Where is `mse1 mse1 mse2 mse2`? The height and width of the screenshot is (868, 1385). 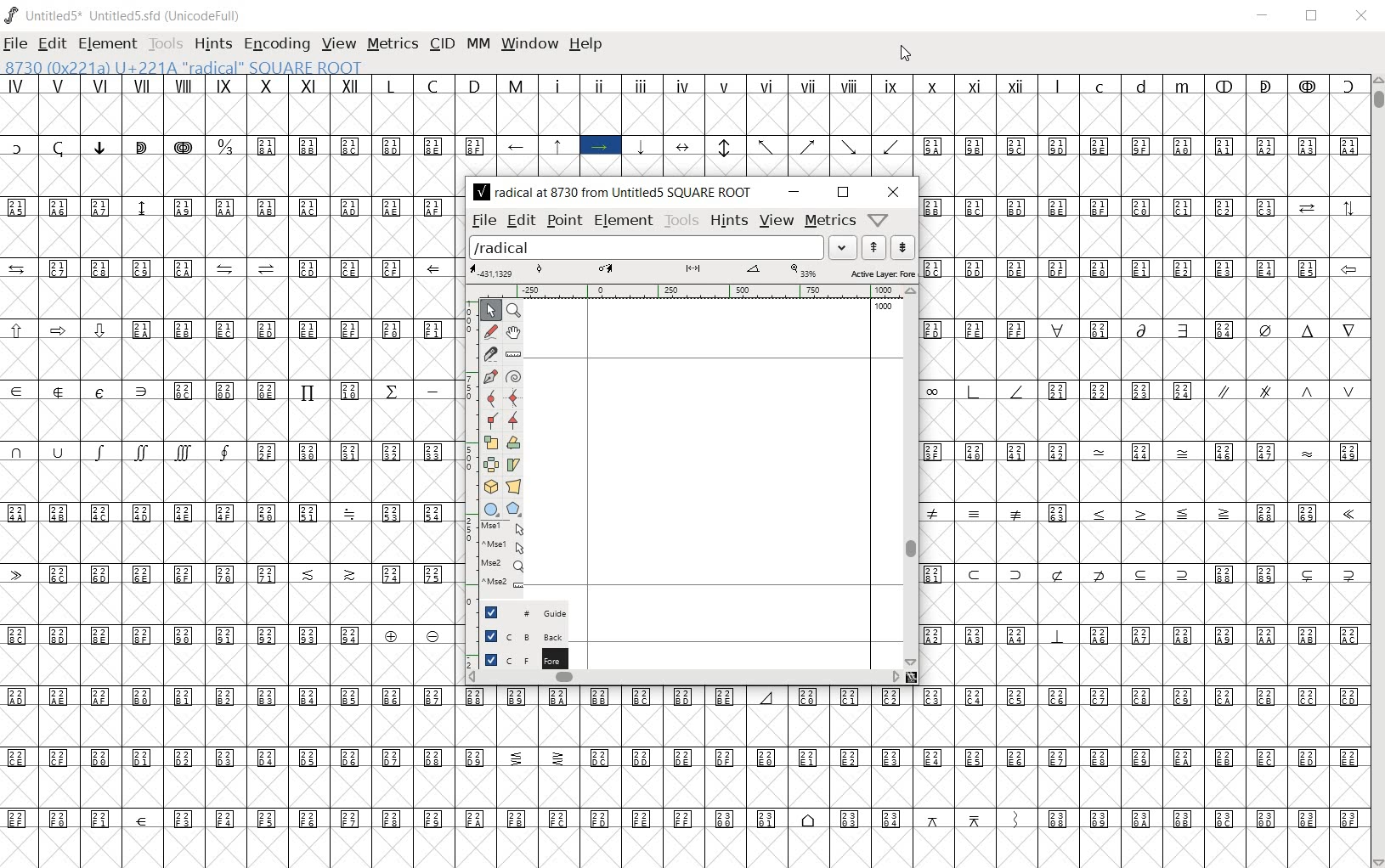
mse1 mse1 mse2 mse2 is located at coordinates (501, 557).